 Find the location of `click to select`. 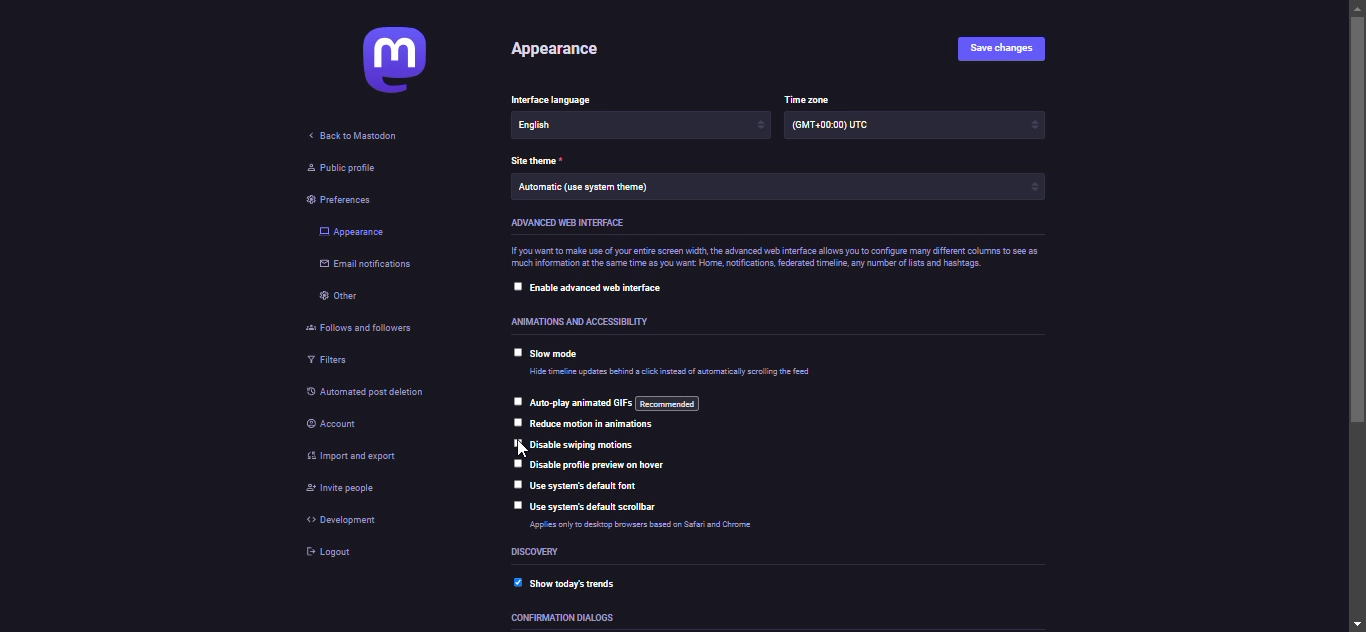

click to select is located at coordinates (517, 286).